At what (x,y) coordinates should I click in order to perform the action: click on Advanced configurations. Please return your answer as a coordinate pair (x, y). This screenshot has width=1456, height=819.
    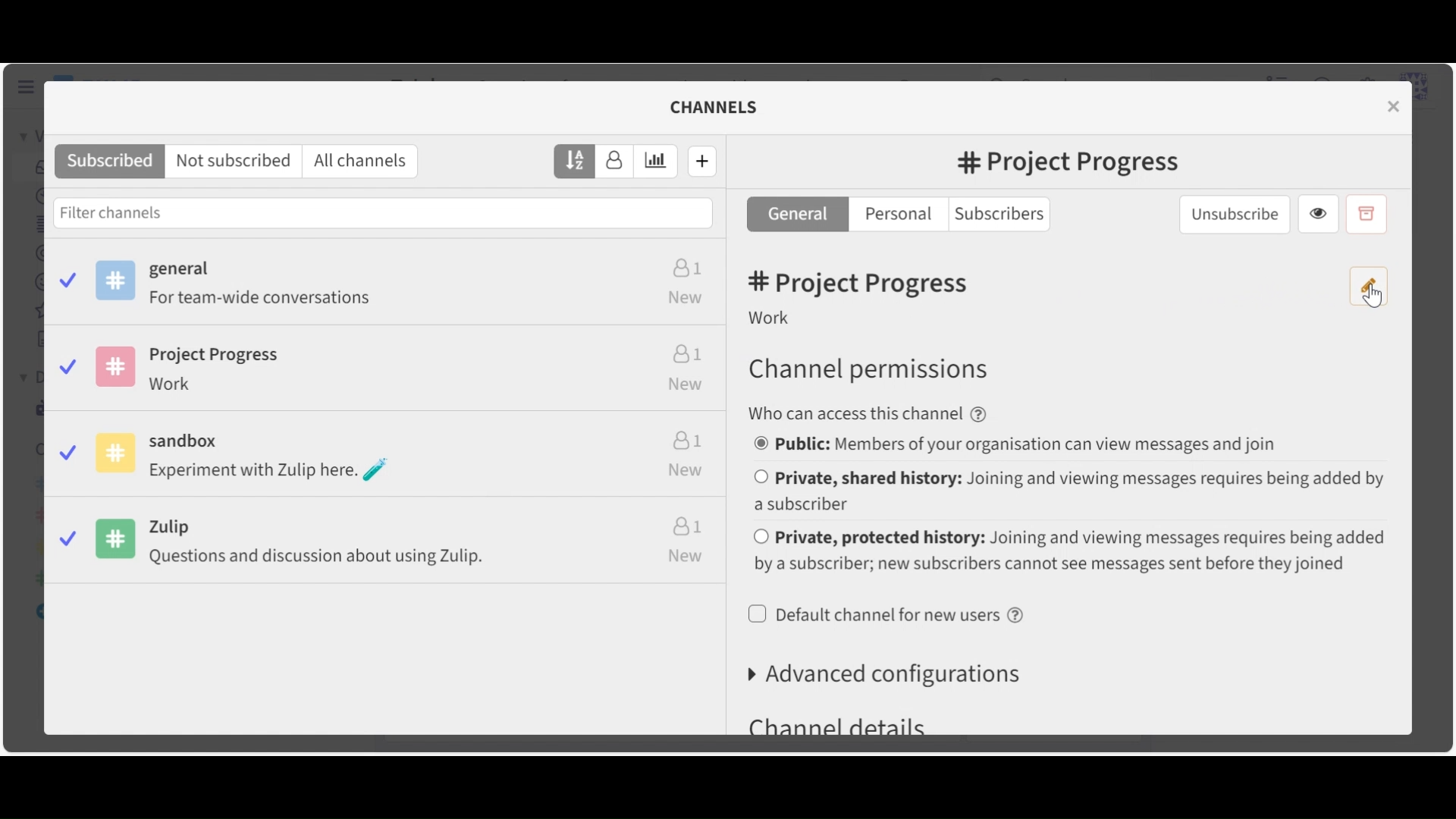
    Looking at the image, I should click on (894, 674).